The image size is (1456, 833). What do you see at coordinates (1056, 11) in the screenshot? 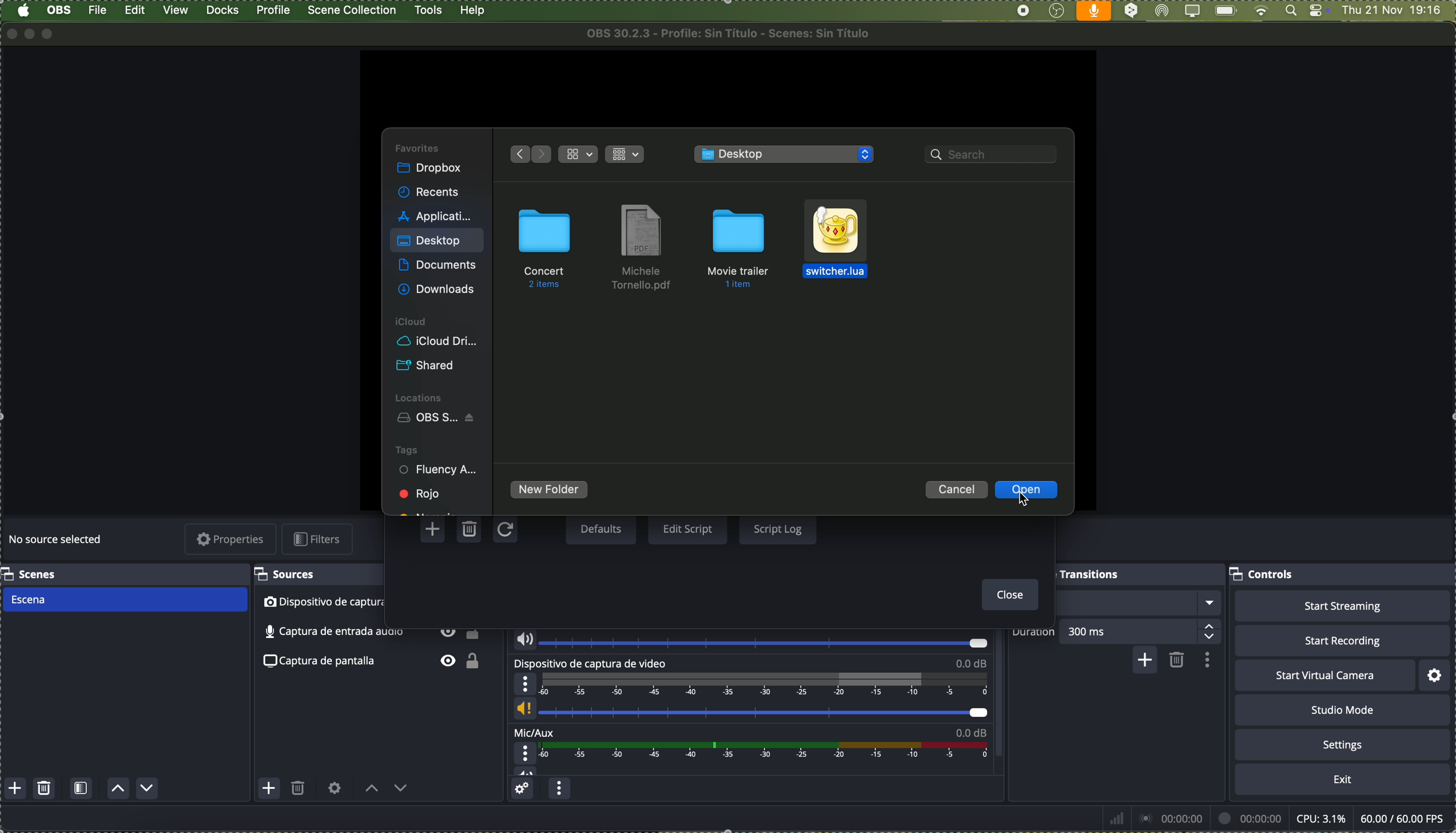
I see `OBS Studio` at bounding box center [1056, 11].